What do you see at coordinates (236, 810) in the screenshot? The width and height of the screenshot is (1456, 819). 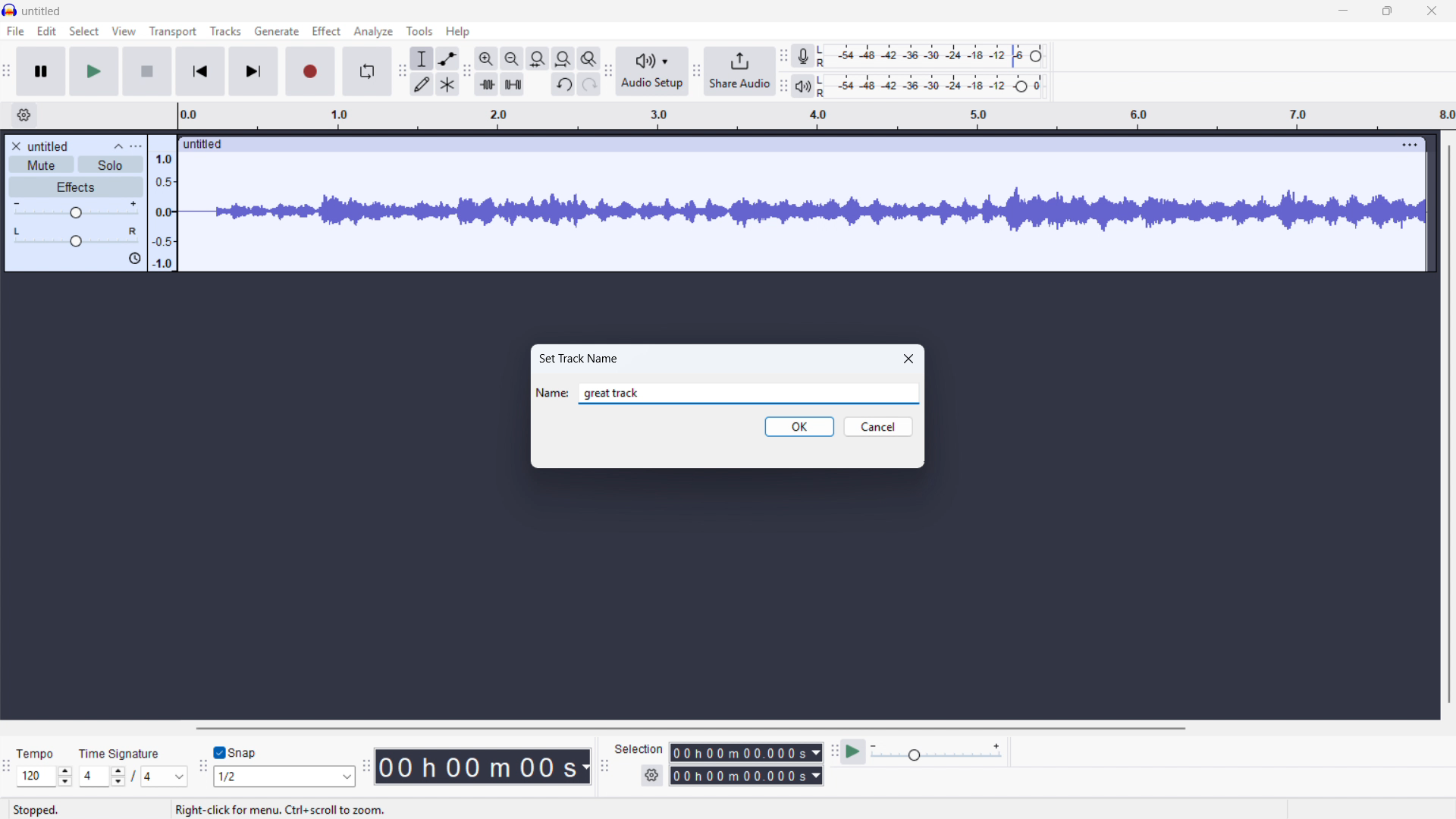 I see `open menu...(shift+M)` at bounding box center [236, 810].